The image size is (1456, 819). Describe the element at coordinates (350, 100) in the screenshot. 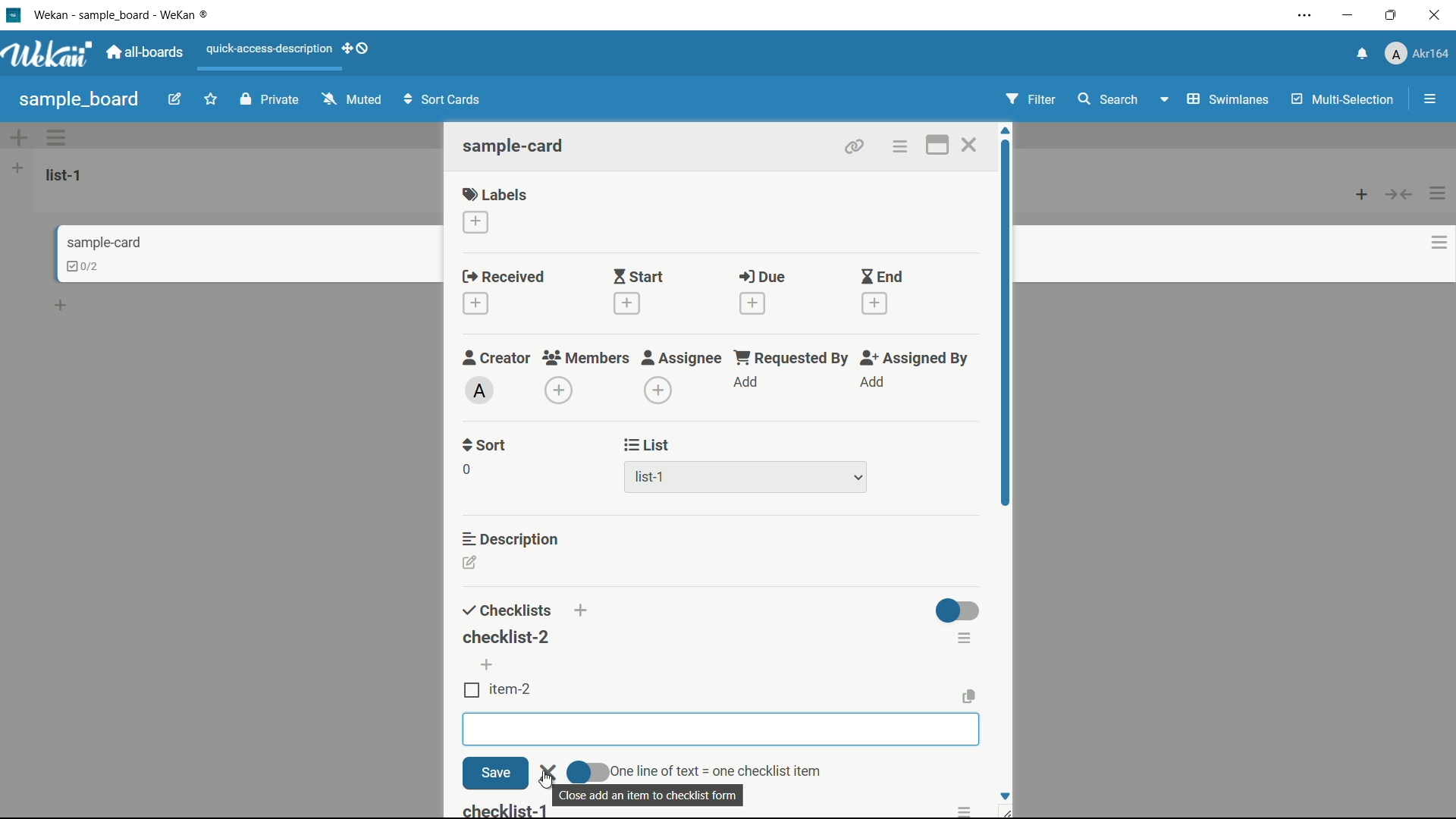

I see `muted` at that location.